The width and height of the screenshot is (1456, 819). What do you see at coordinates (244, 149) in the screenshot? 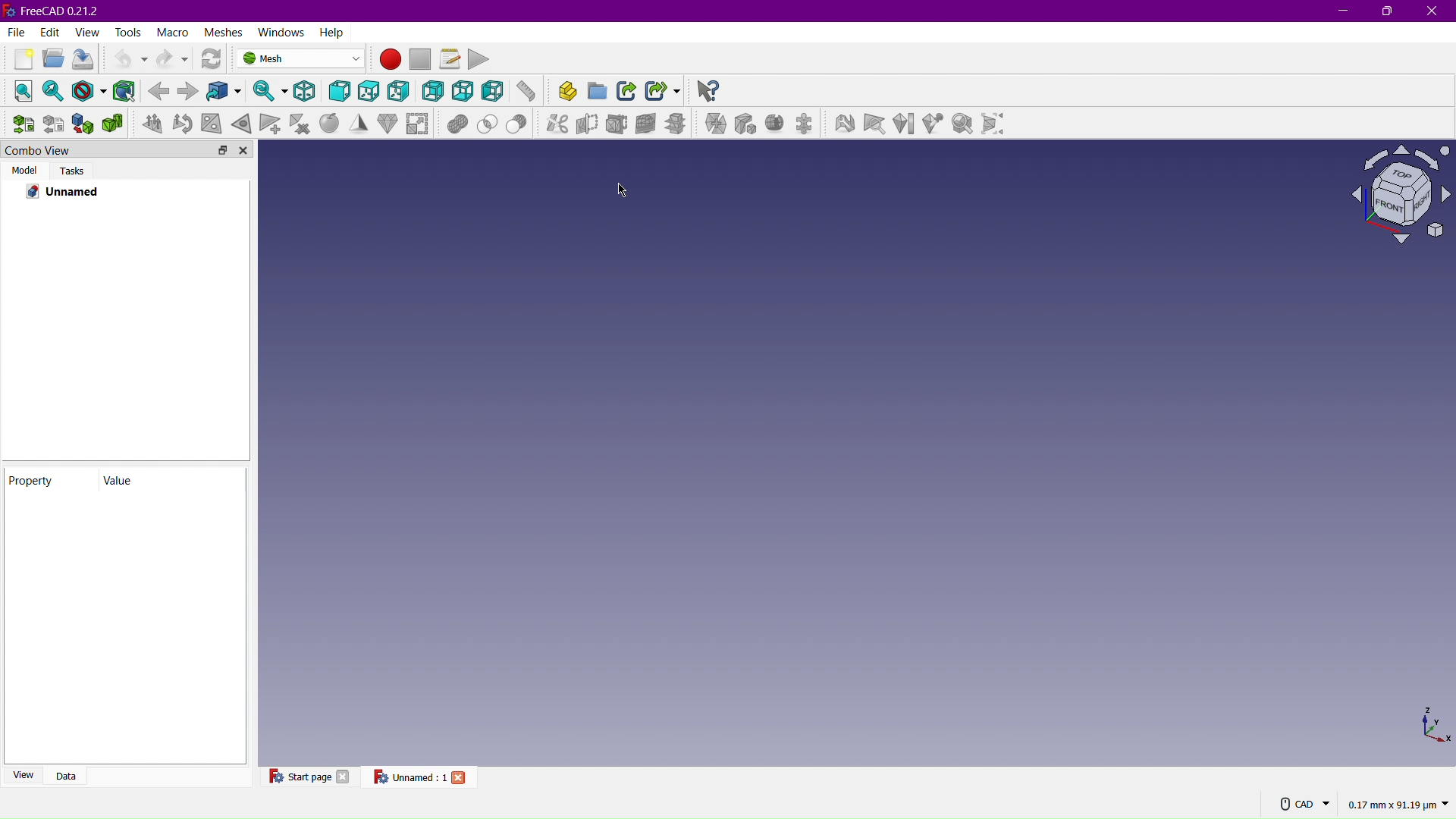
I see `close` at bounding box center [244, 149].